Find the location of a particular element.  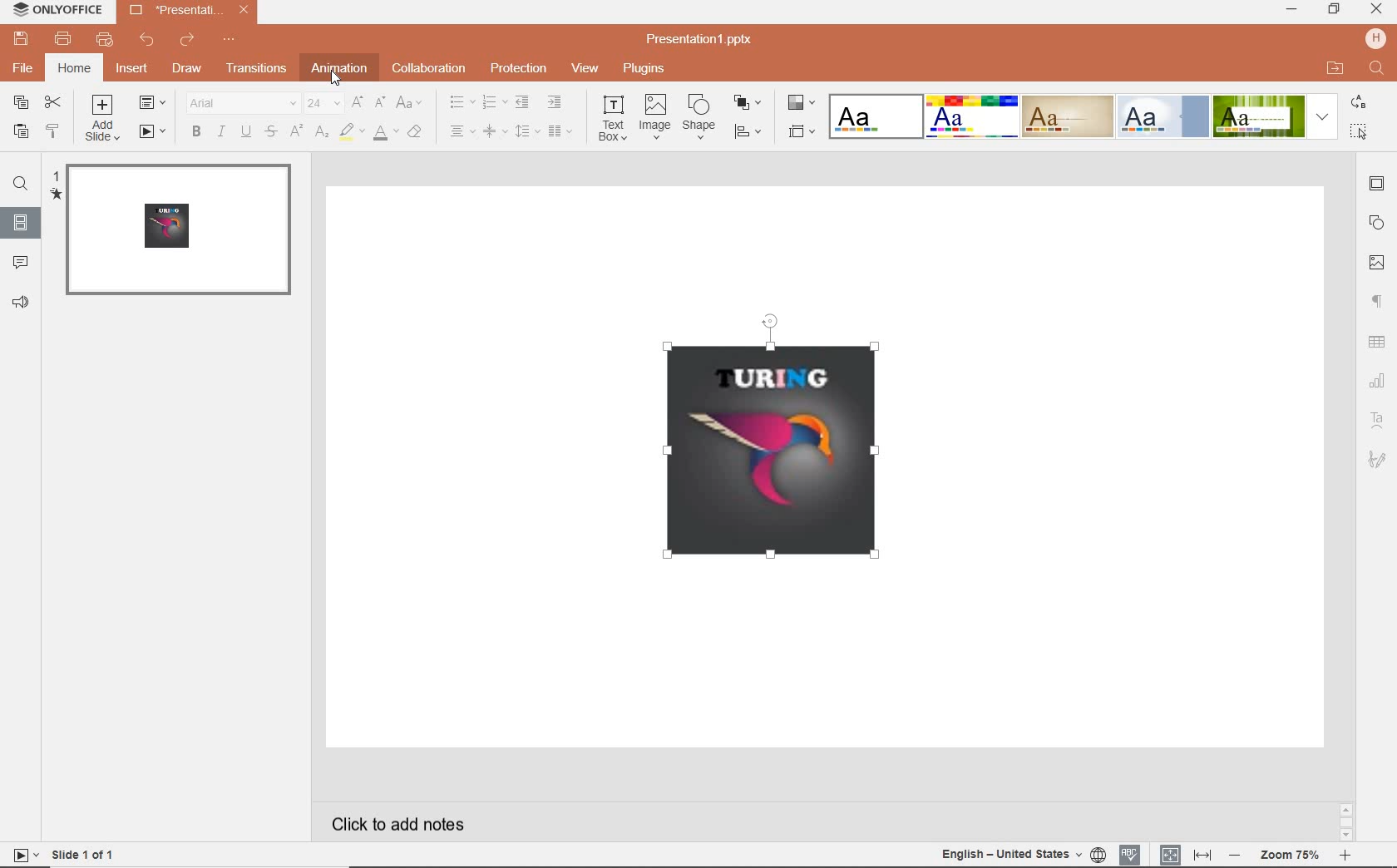

system name is located at coordinates (62, 10).